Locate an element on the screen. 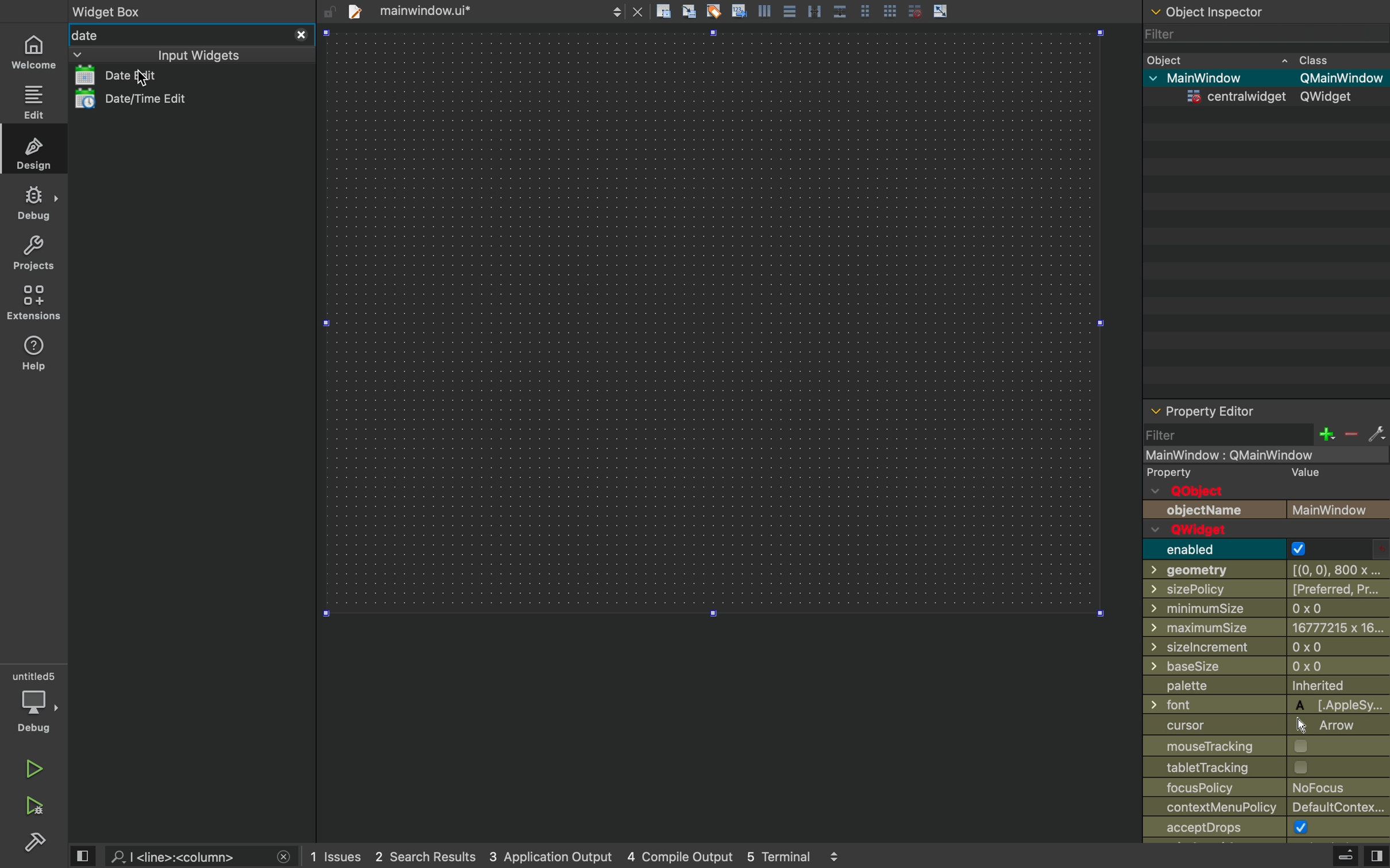 This screenshot has width=1390, height=868. scale object is located at coordinates (941, 10).